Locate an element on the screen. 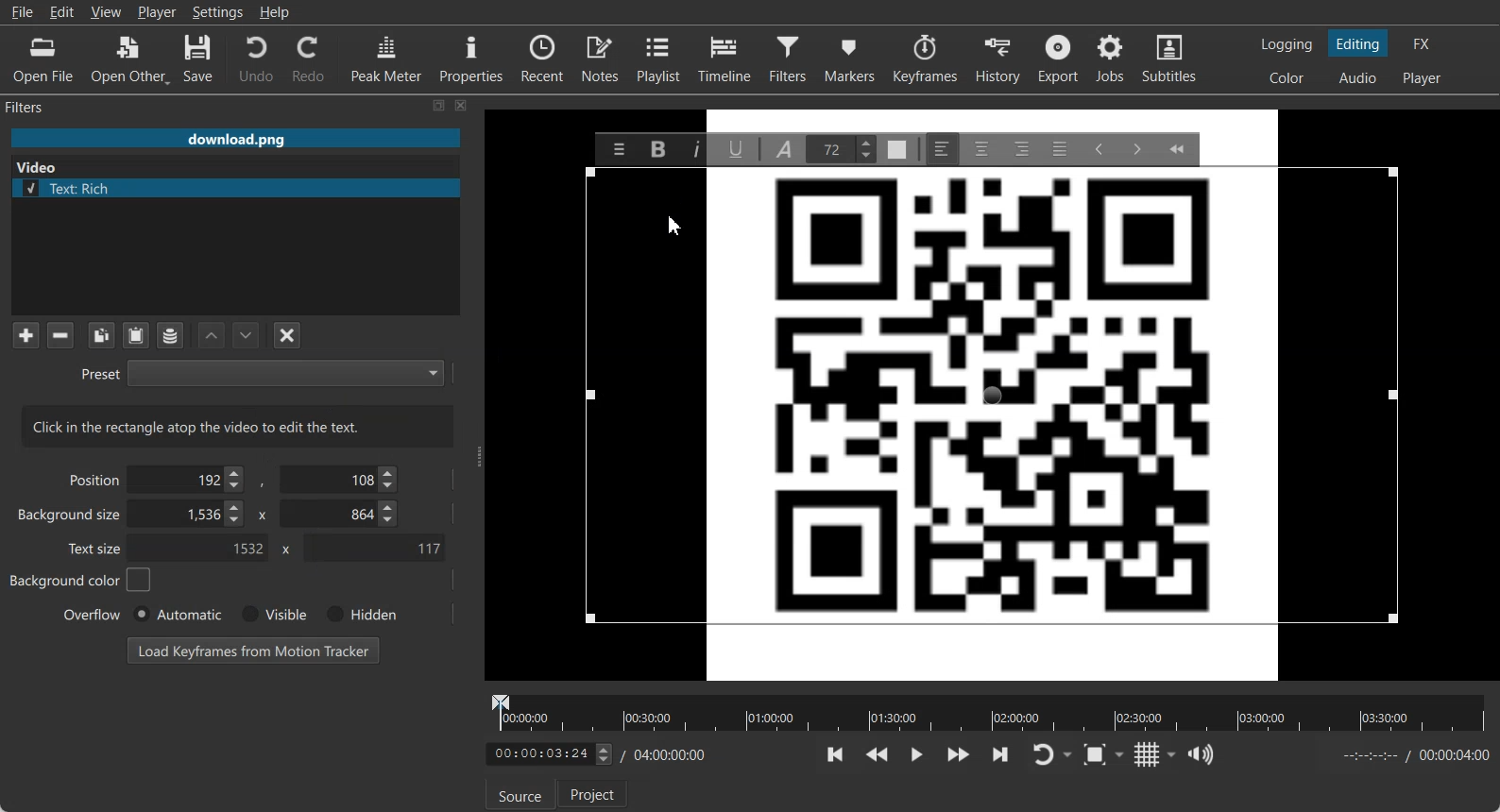 The height and width of the screenshot is (812, 1500). Position is located at coordinates (91, 479).